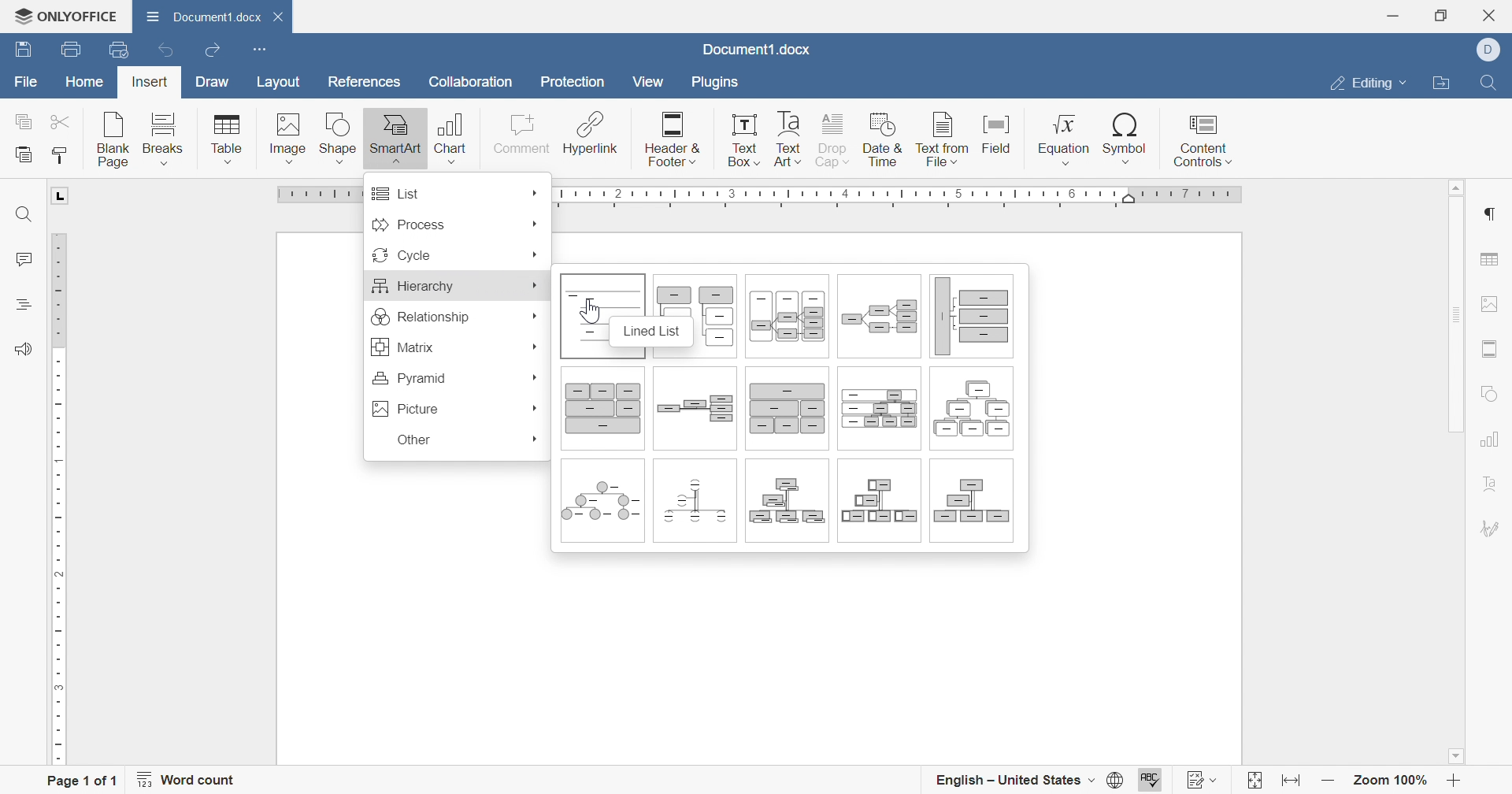  What do you see at coordinates (120, 51) in the screenshot?
I see `Quick print` at bounding box center [120, 51].